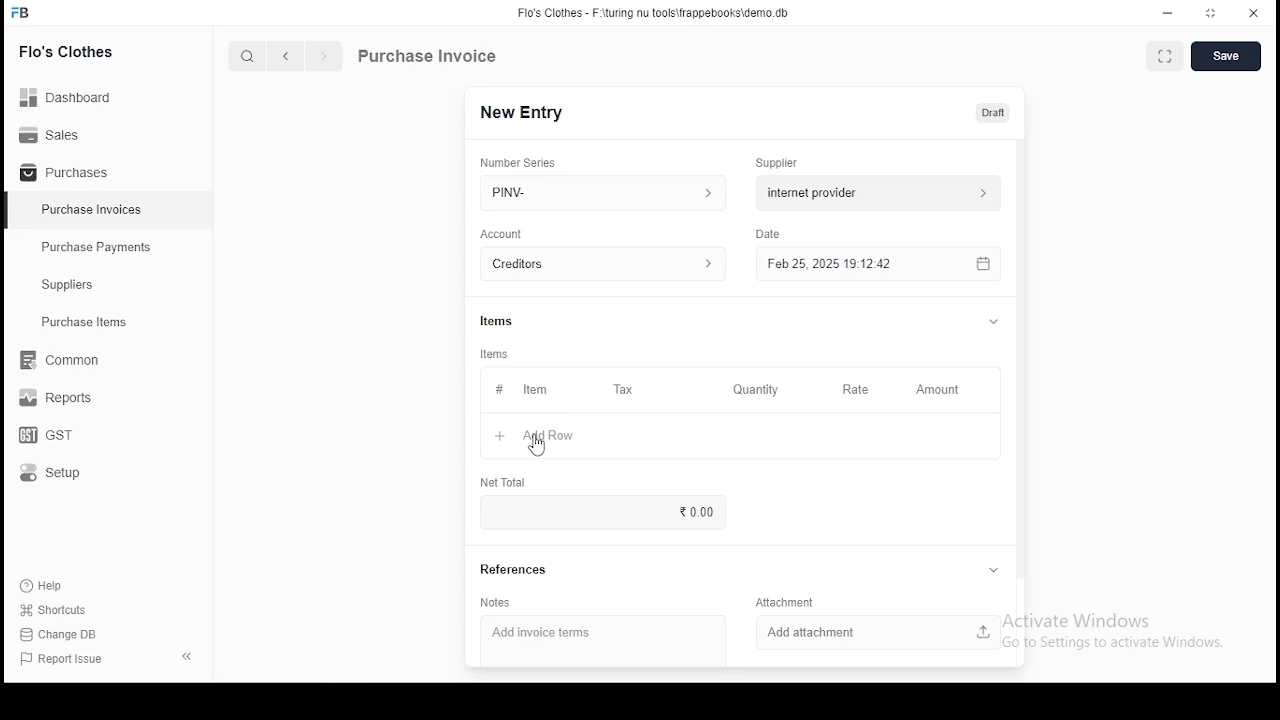 Image resolution: width=1280 pixels, height=720 pixels. I want to click on next, so click(324, 58).